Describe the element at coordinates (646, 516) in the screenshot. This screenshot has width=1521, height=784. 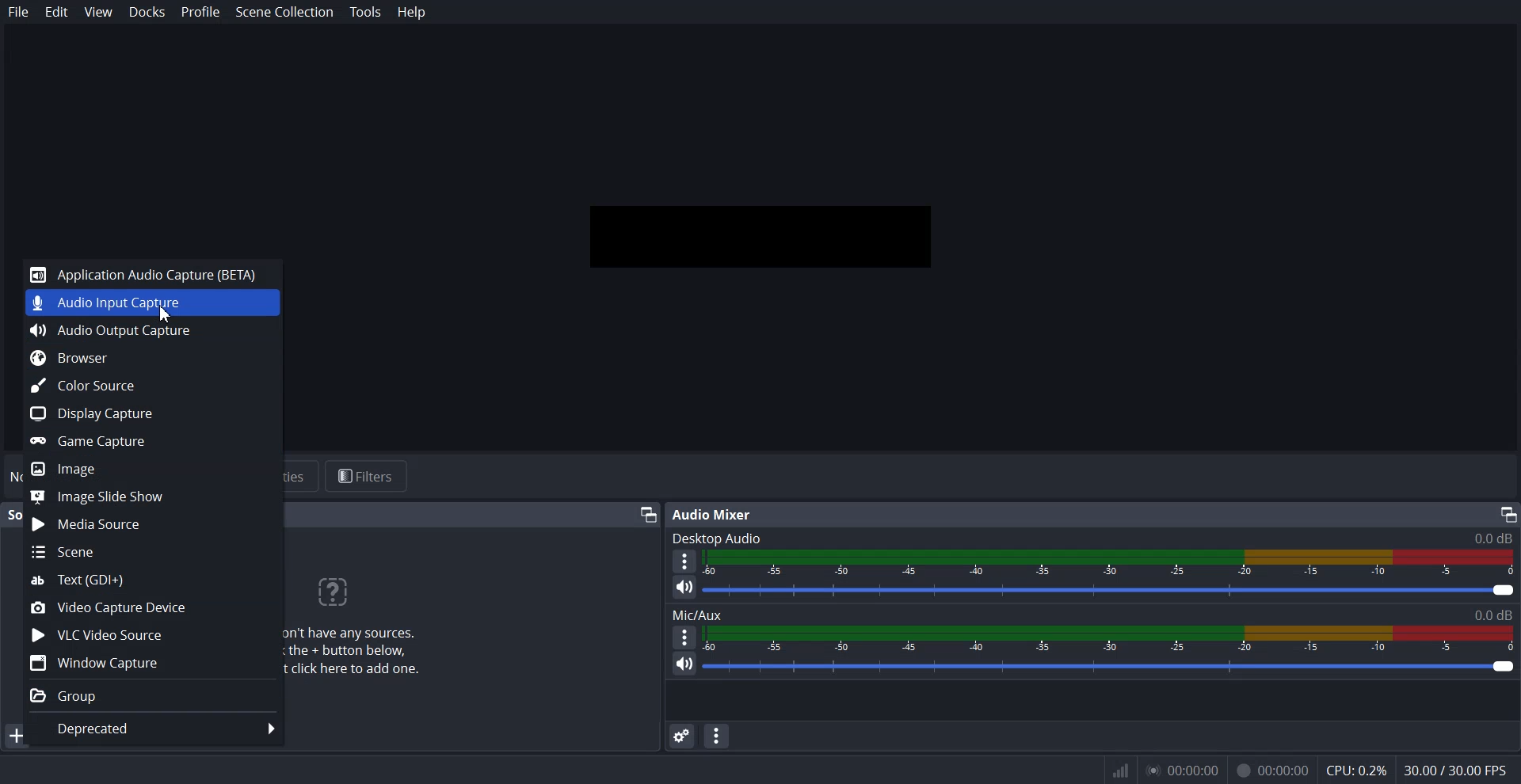
I see `Minimize` at that location.